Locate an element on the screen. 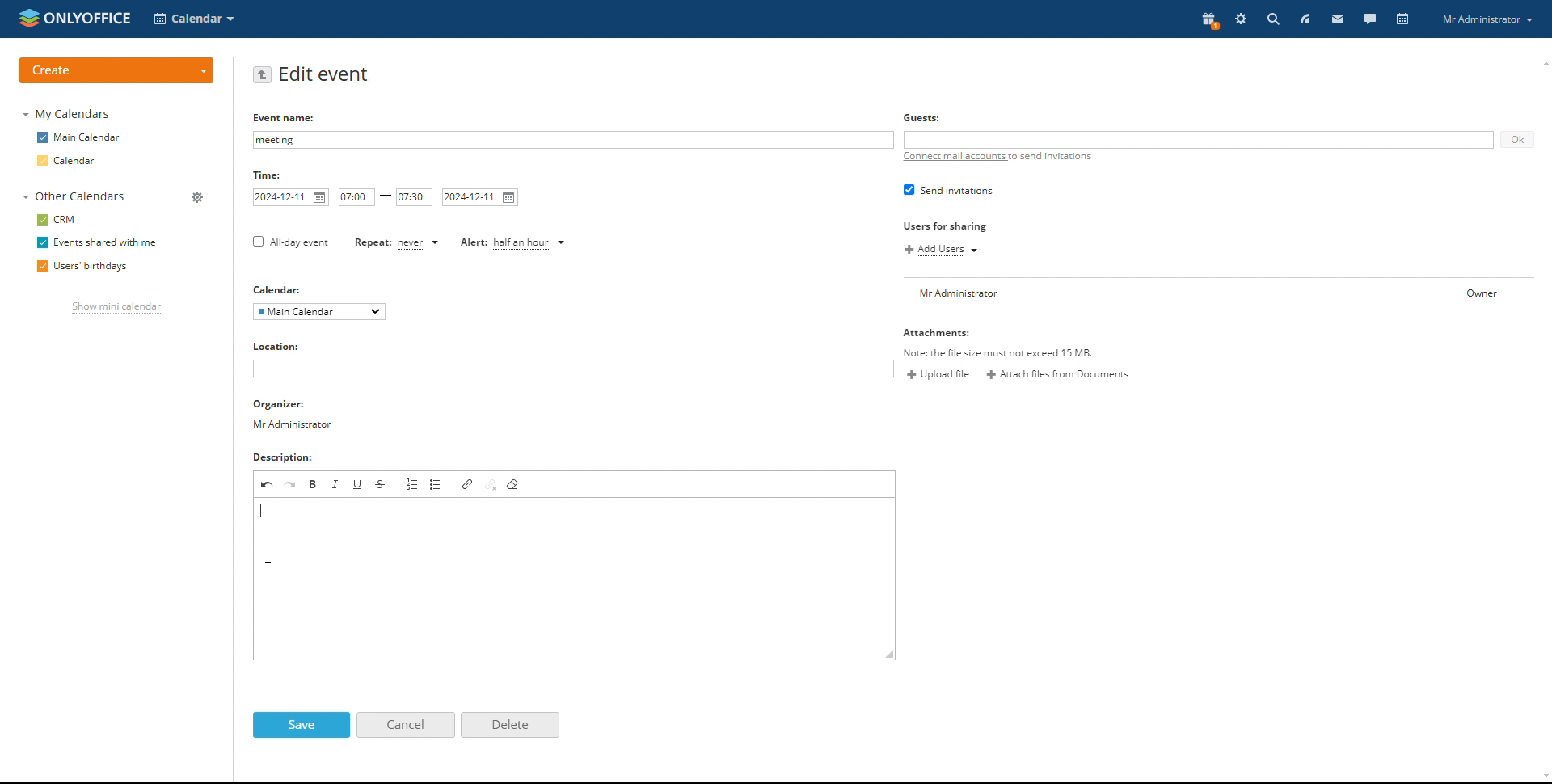  redo is located at coordinates (291, 483).